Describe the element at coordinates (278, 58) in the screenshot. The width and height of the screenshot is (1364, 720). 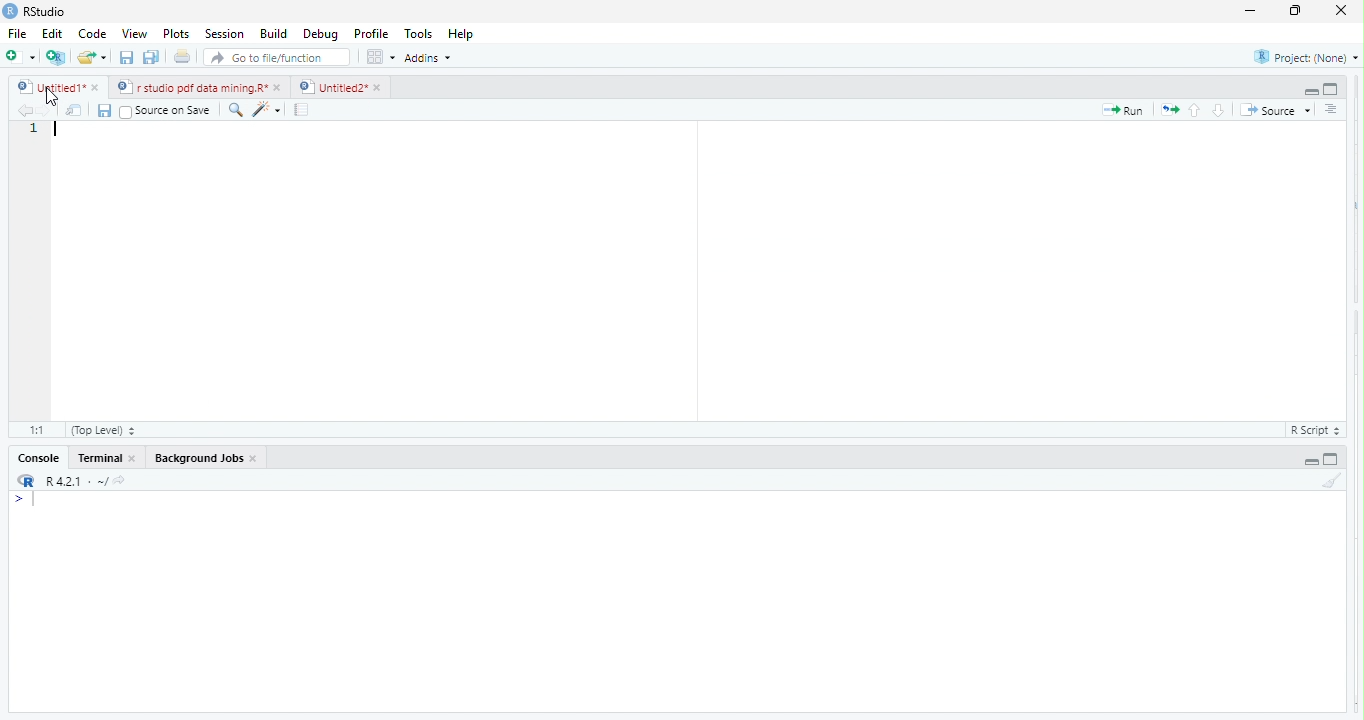
I see ` Go to file/function` at that location.